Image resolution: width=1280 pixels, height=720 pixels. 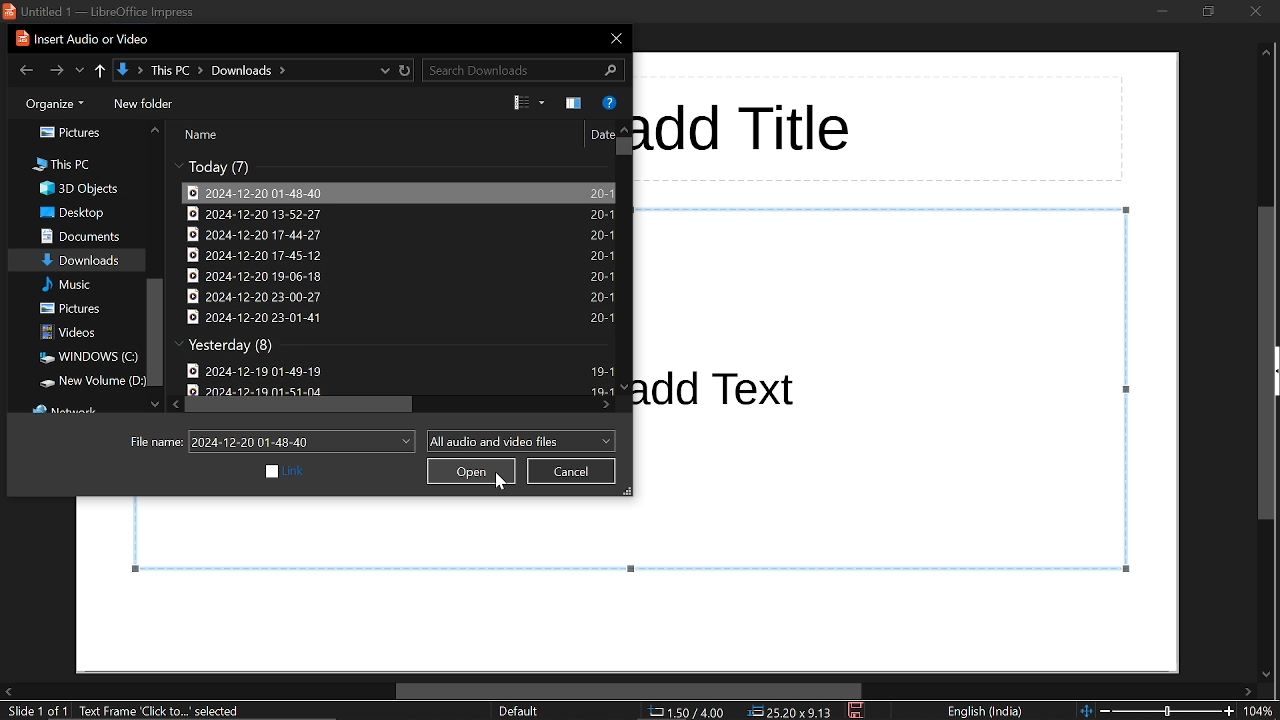 I want to click on horizontal scrollbar, so click(x=303, y=406).